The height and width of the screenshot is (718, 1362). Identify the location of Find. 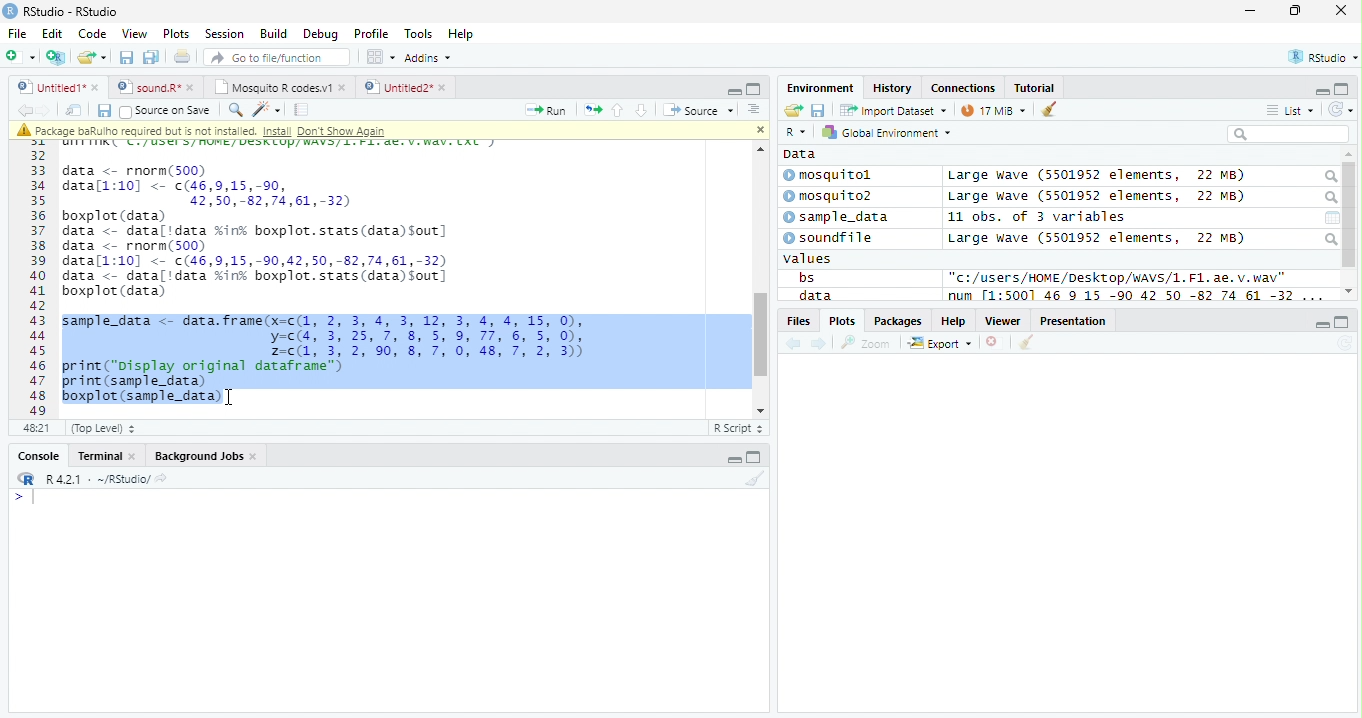
(235, 110).